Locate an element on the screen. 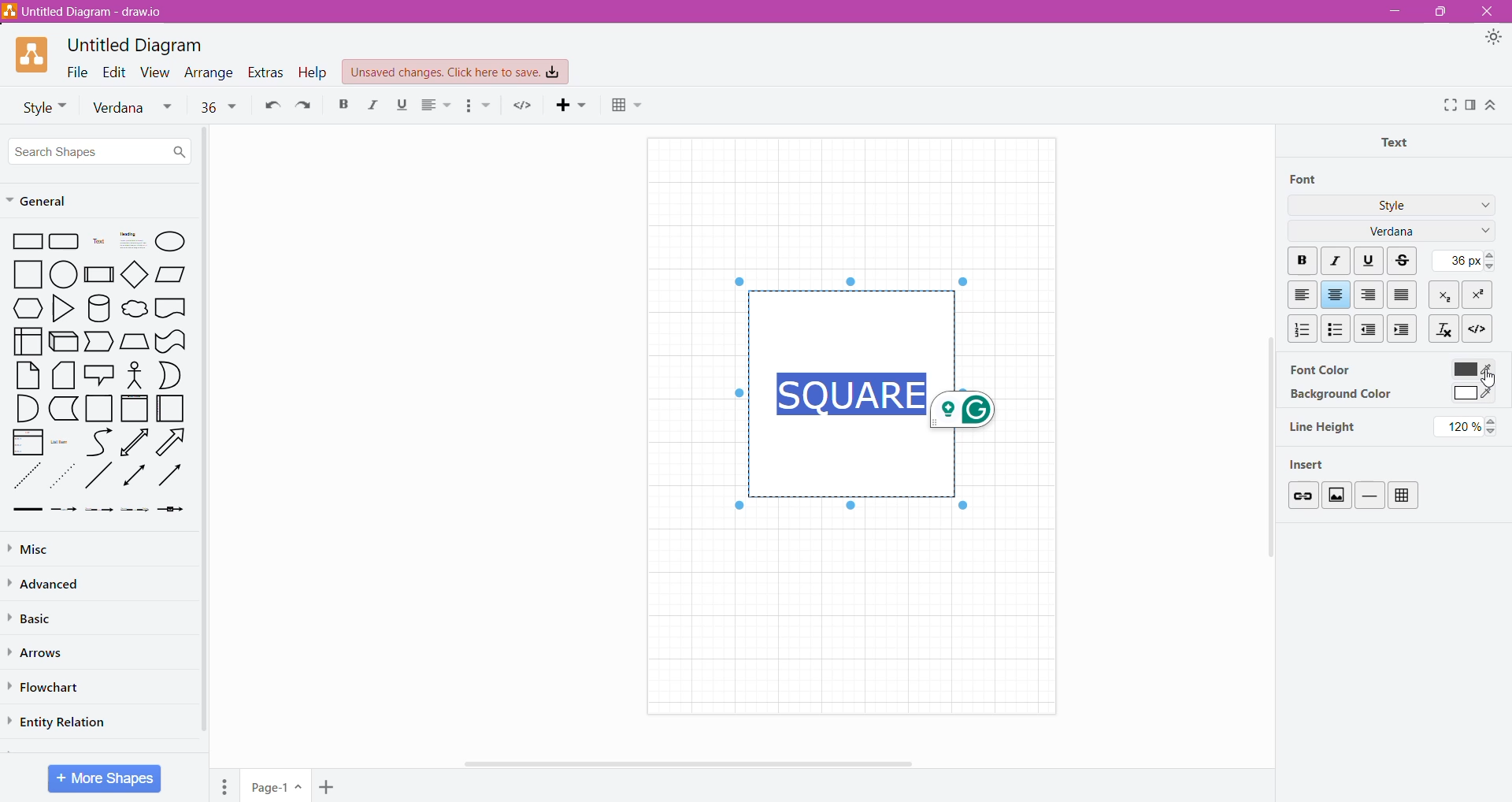  Underline is located at coordinates (401, 105).